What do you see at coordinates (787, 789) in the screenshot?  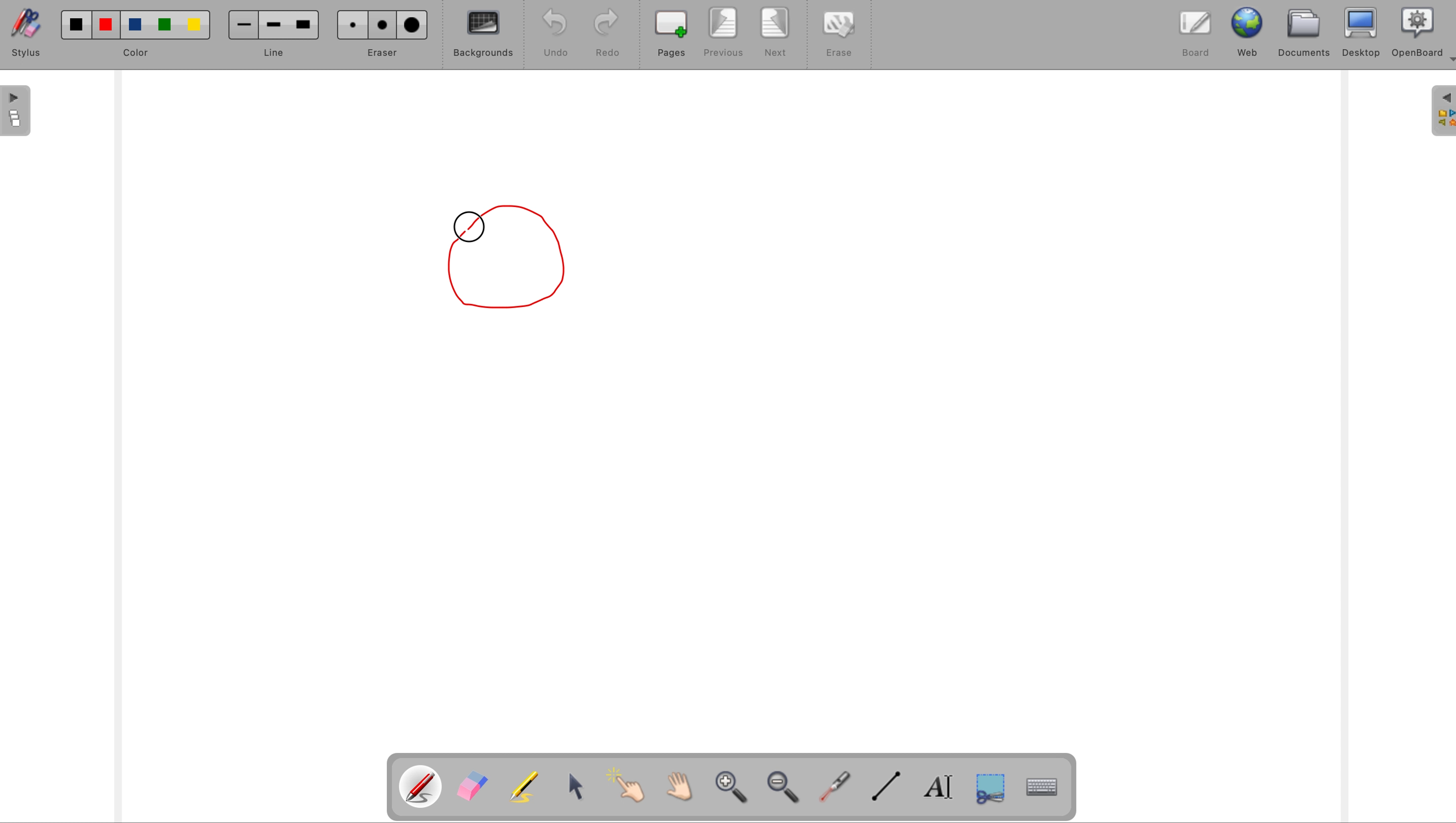 I see `zoom out` at bounding box center [787, 789].